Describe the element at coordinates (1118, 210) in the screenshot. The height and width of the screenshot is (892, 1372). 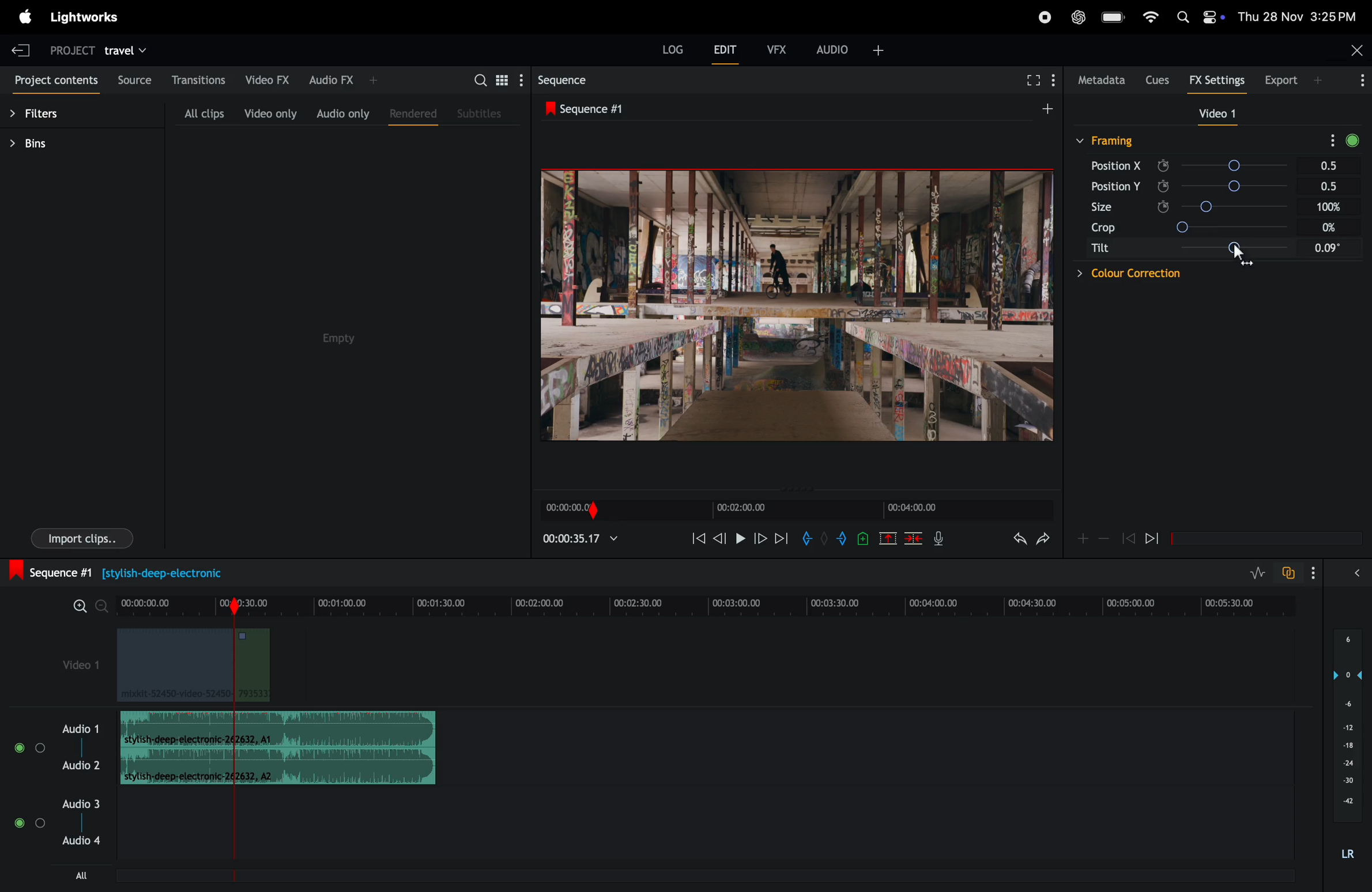
I see `size` at that location.